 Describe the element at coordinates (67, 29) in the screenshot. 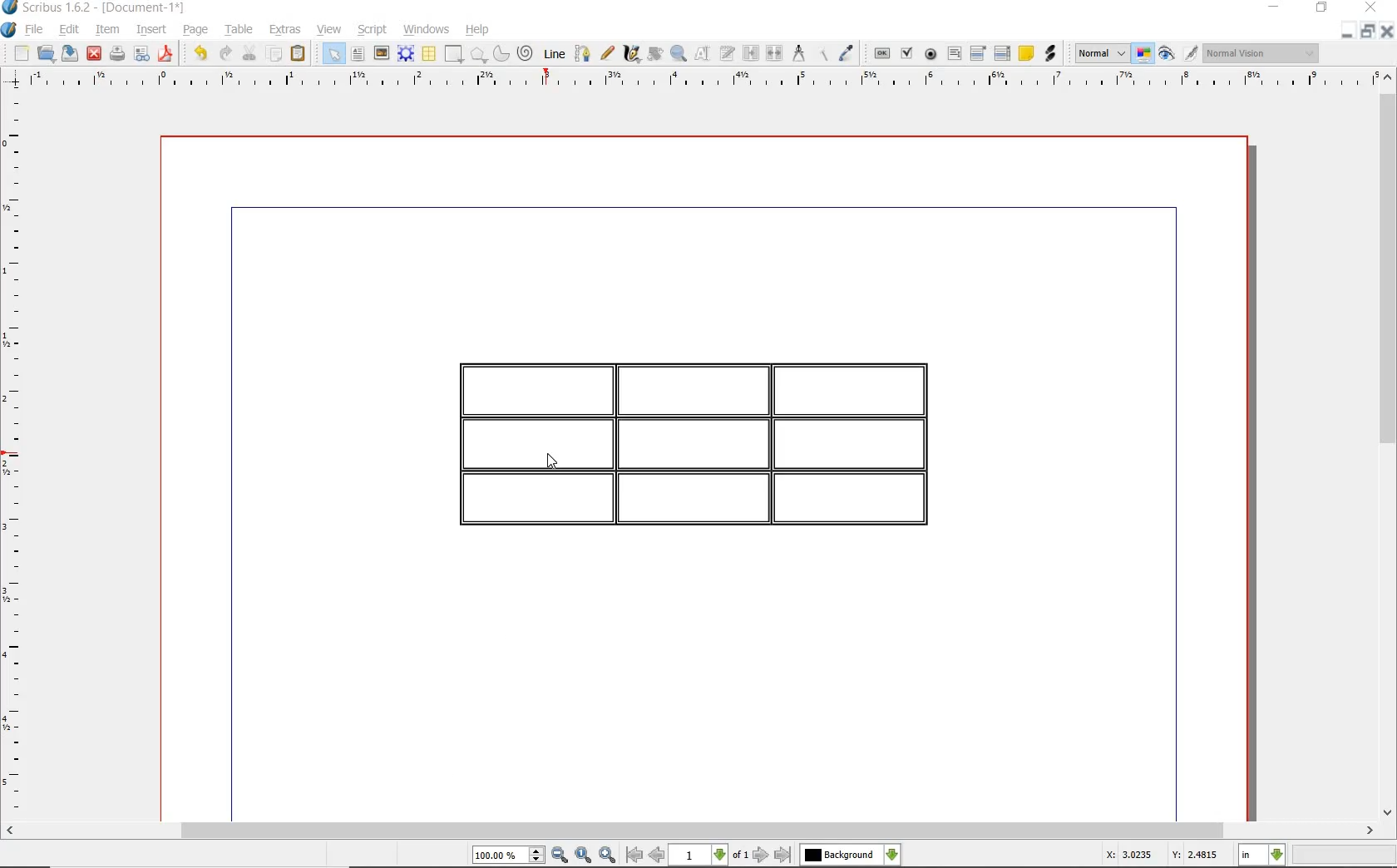

I see `edit` at that location.